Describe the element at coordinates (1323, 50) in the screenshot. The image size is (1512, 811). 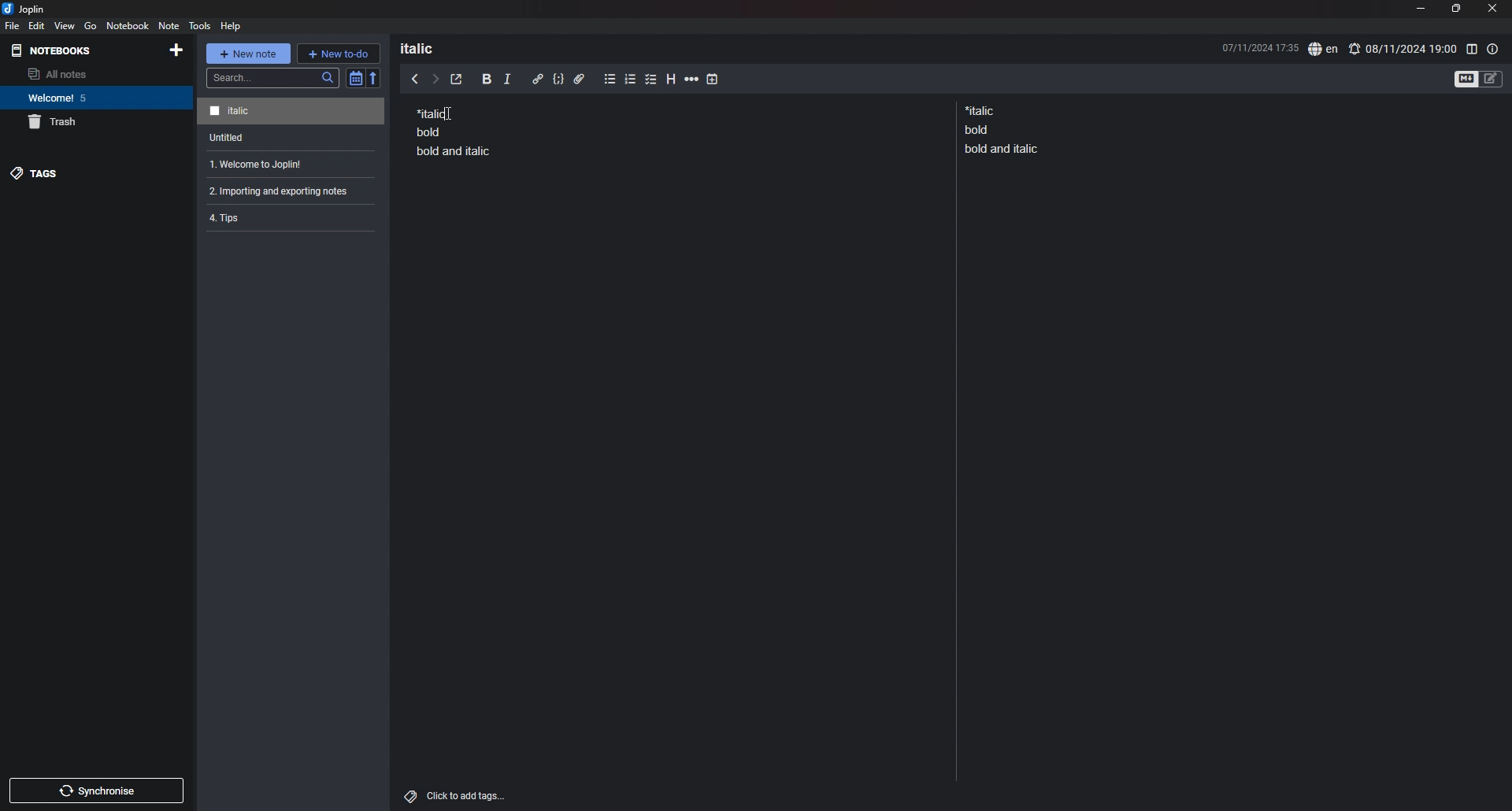
I see `spell check` at that location.